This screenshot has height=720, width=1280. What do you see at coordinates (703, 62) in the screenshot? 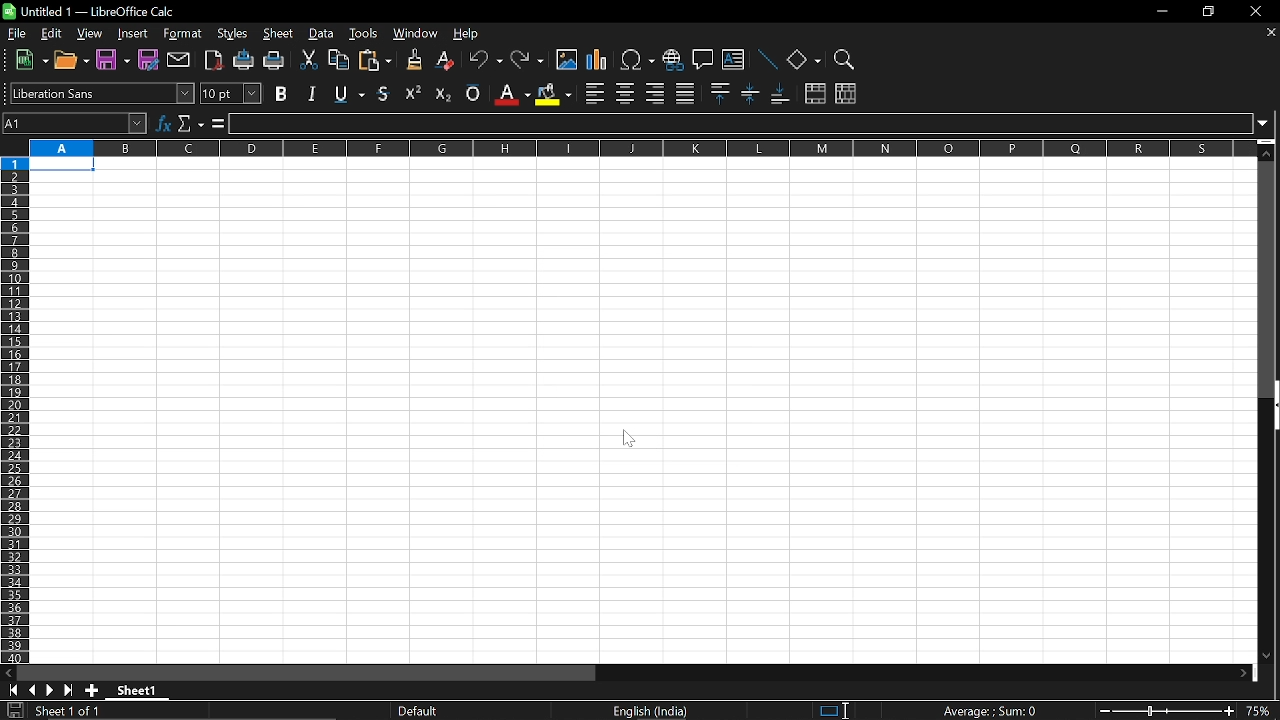
I see `comment` at bounding box center [703, 62].